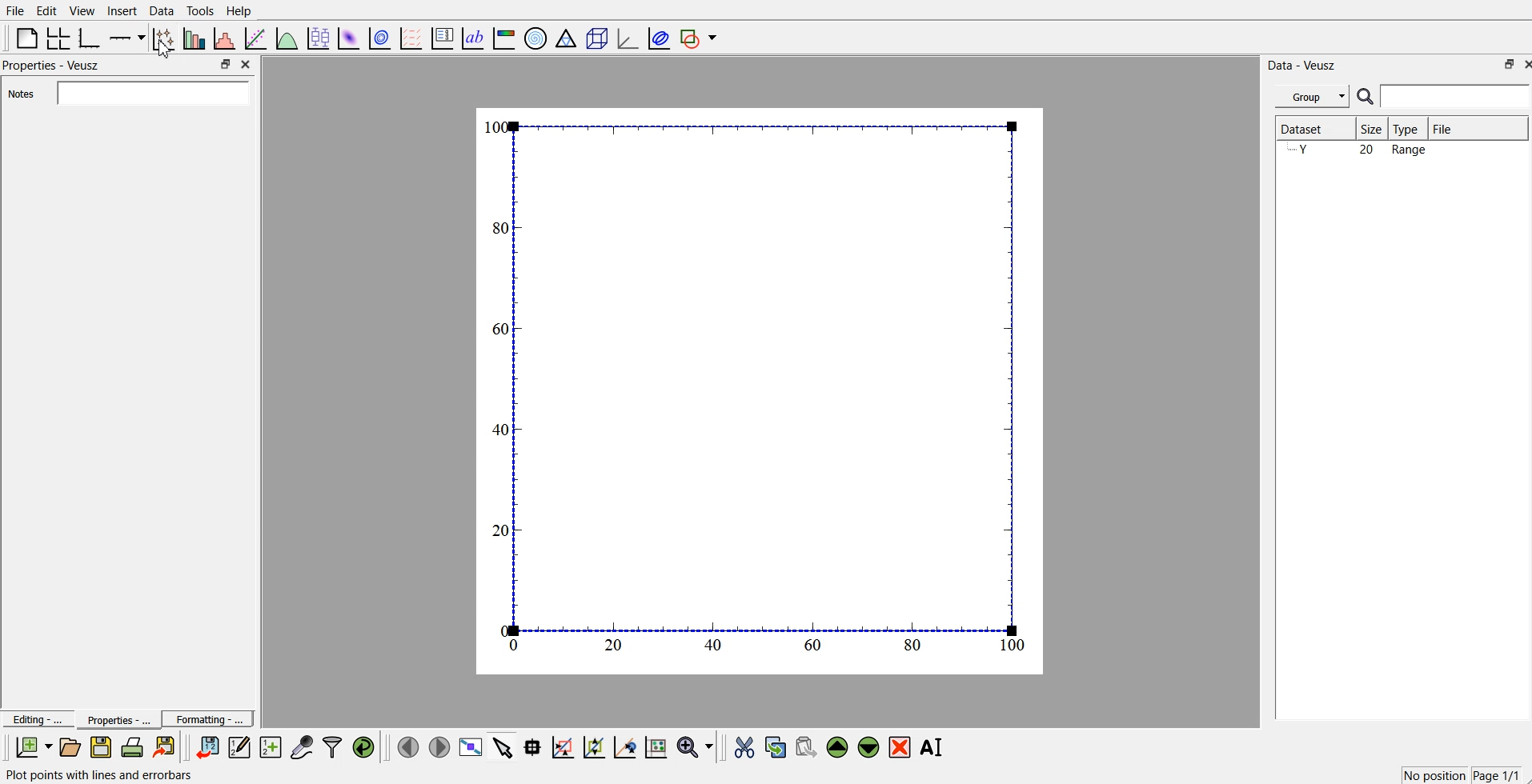  What do you see at coordinates (413, 38) in the screenshot?
I see `plot a vector field` at bounding box center [413, 38].